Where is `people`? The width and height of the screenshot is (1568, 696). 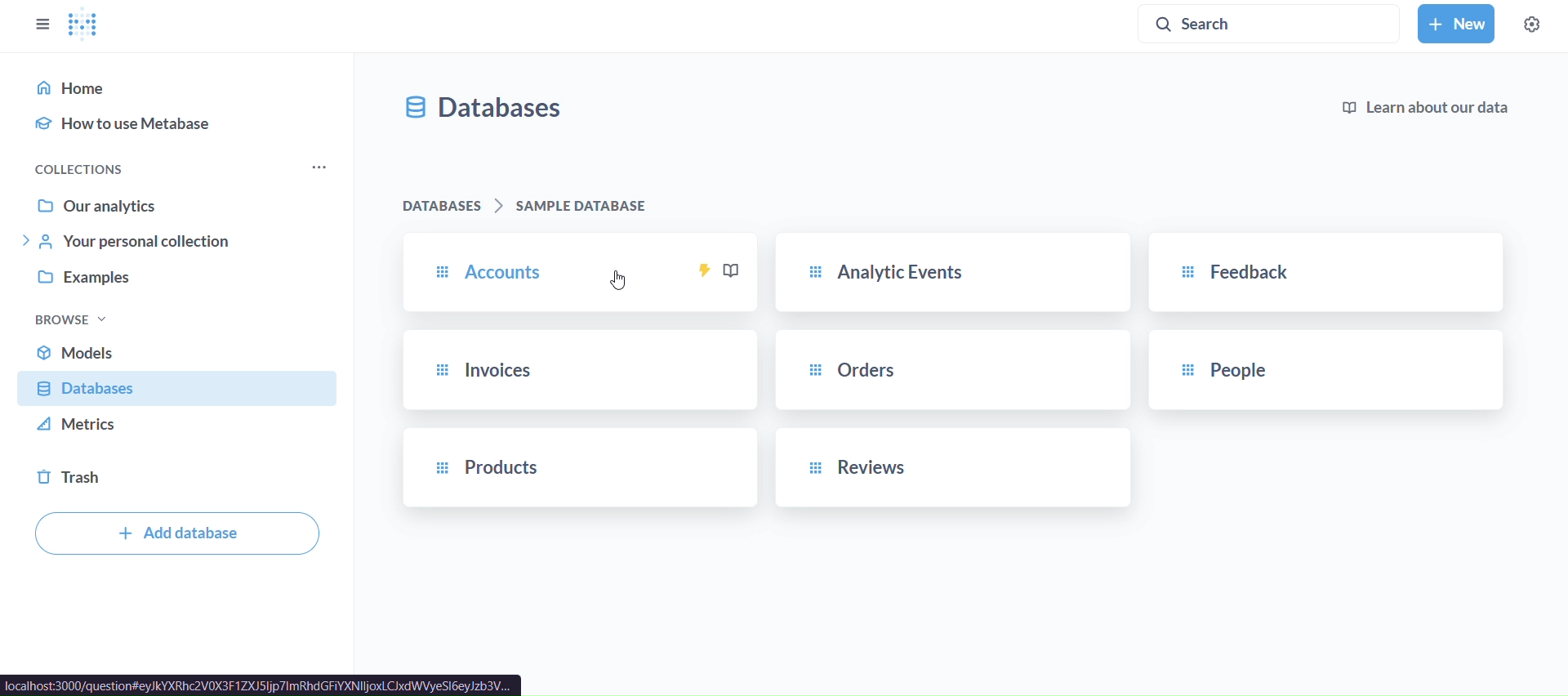
people is located at coordinates (1325, 374).